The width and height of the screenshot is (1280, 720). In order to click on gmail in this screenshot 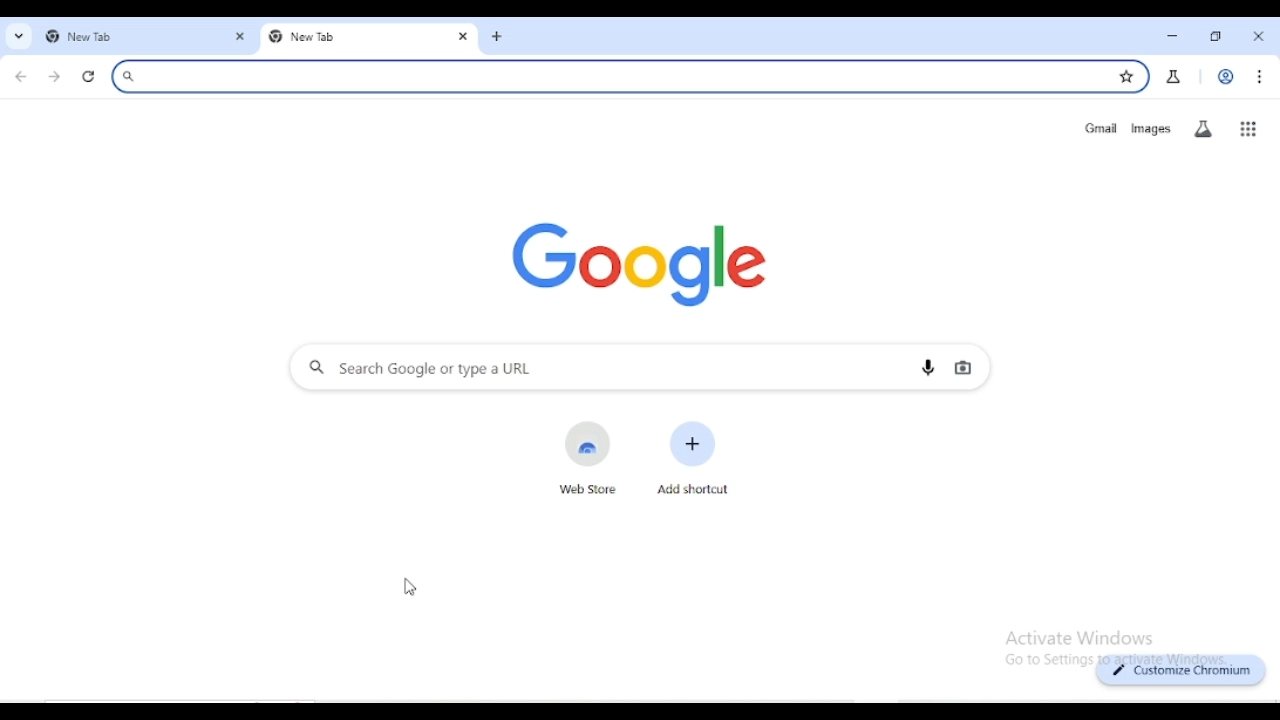, I will do `click(1100, 128)`.